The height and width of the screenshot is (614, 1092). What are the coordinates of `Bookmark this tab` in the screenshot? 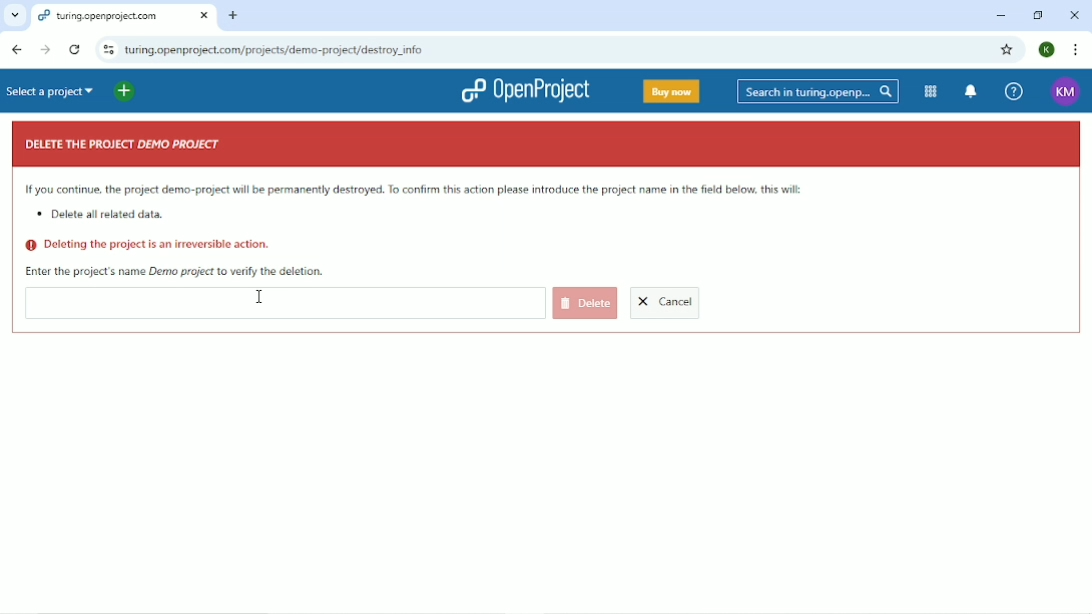 It's located at (1008, 49).